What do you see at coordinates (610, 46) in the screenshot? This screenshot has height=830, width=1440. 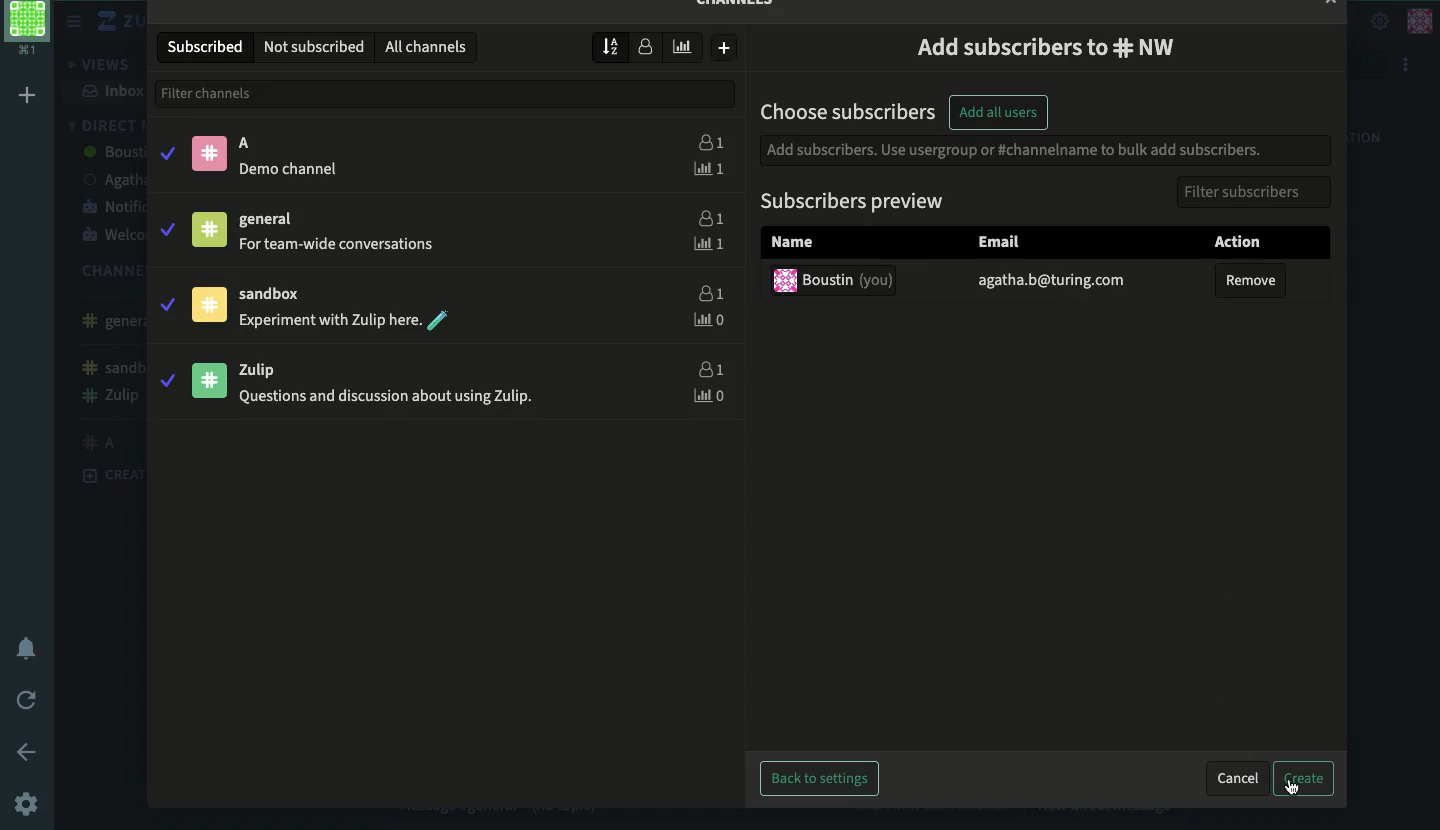 I see `sort` at bounding box center [610, 46].